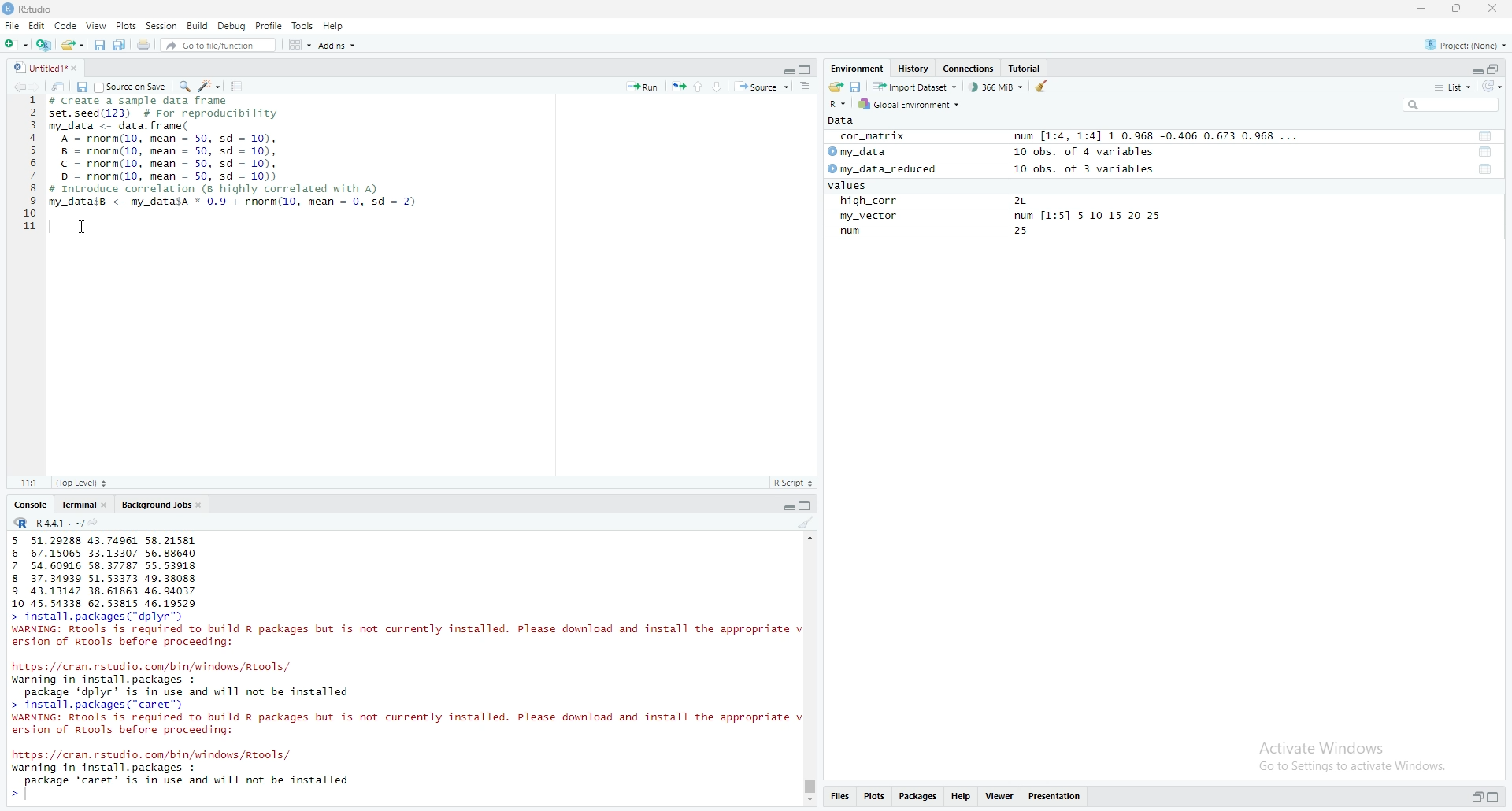  Describe the element at coordinates (186, 87) in the screenshot. I see `search` at that location.